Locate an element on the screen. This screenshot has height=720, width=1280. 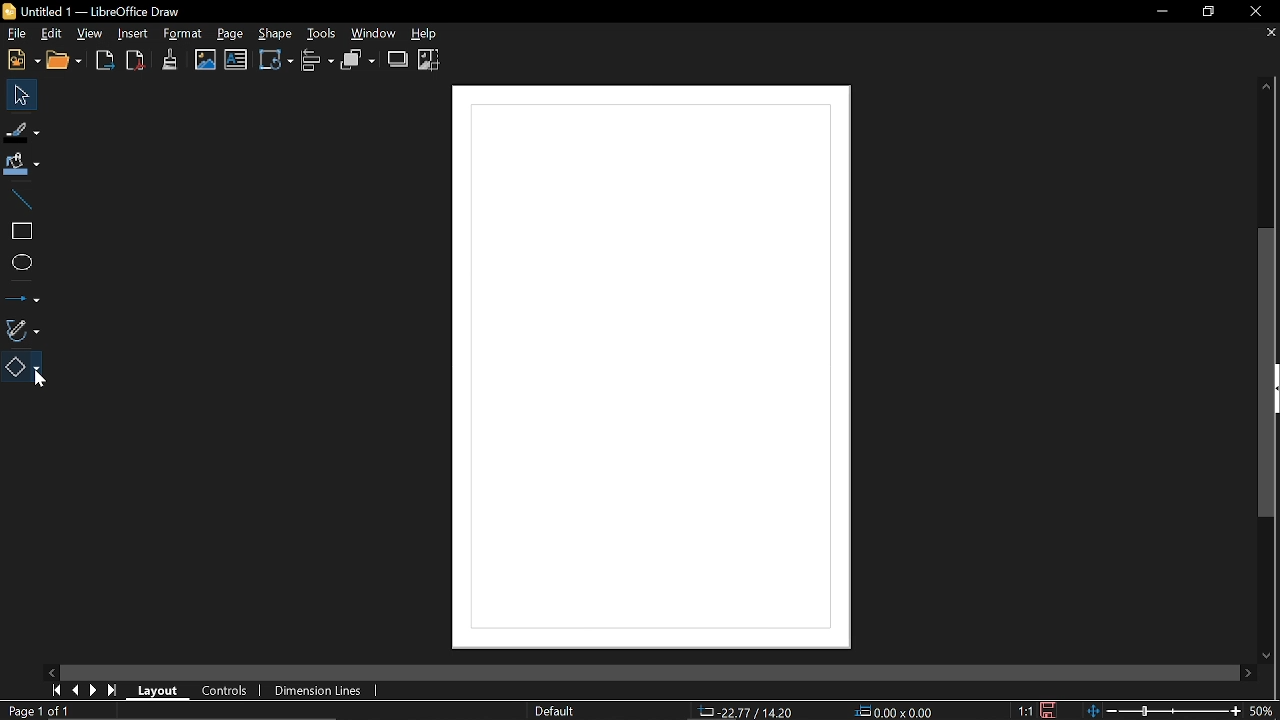
Basic shapes is located at coordinates (24, 367).